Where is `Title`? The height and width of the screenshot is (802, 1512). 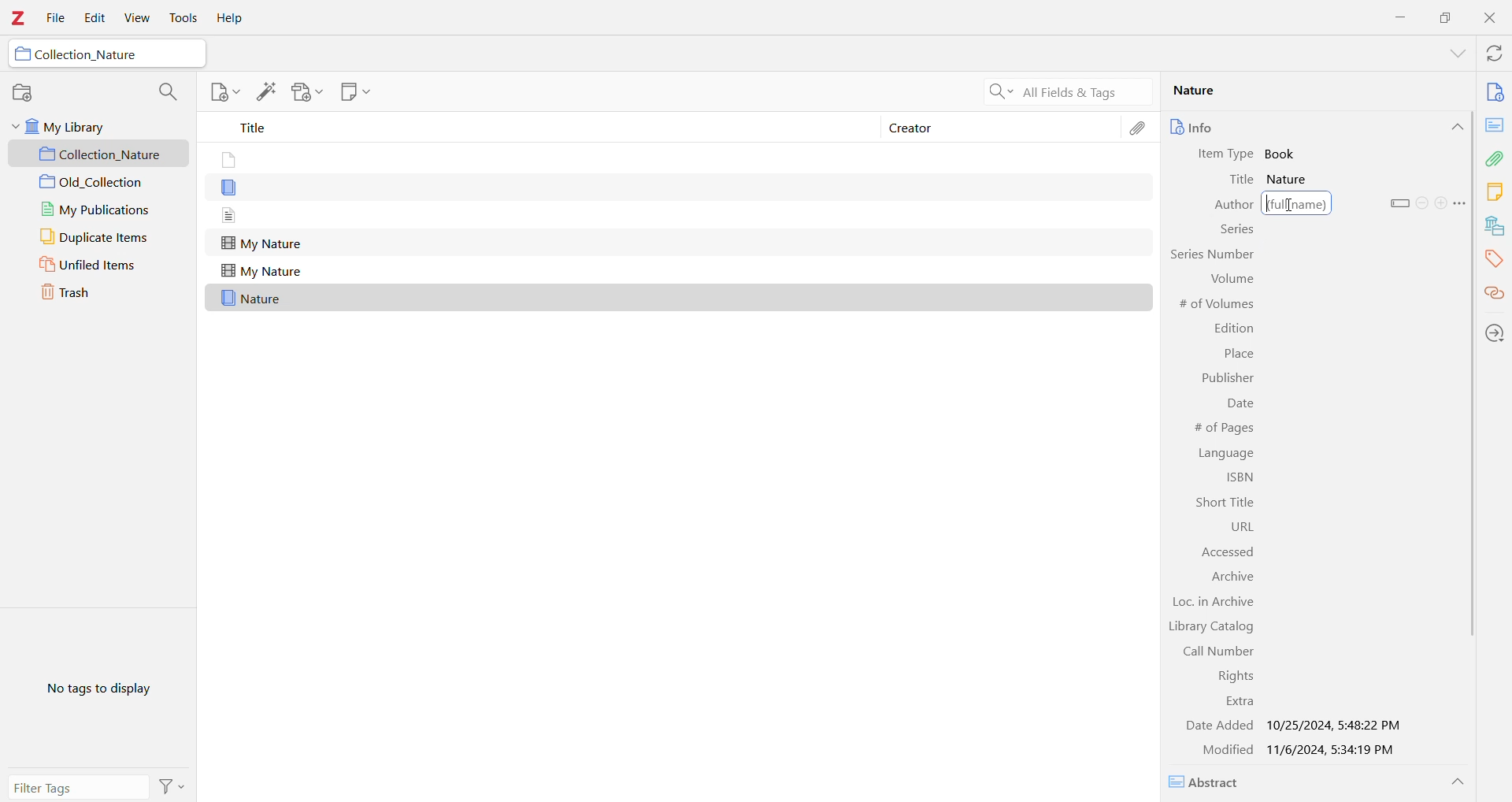 Title is located at coordinates (535, 127).